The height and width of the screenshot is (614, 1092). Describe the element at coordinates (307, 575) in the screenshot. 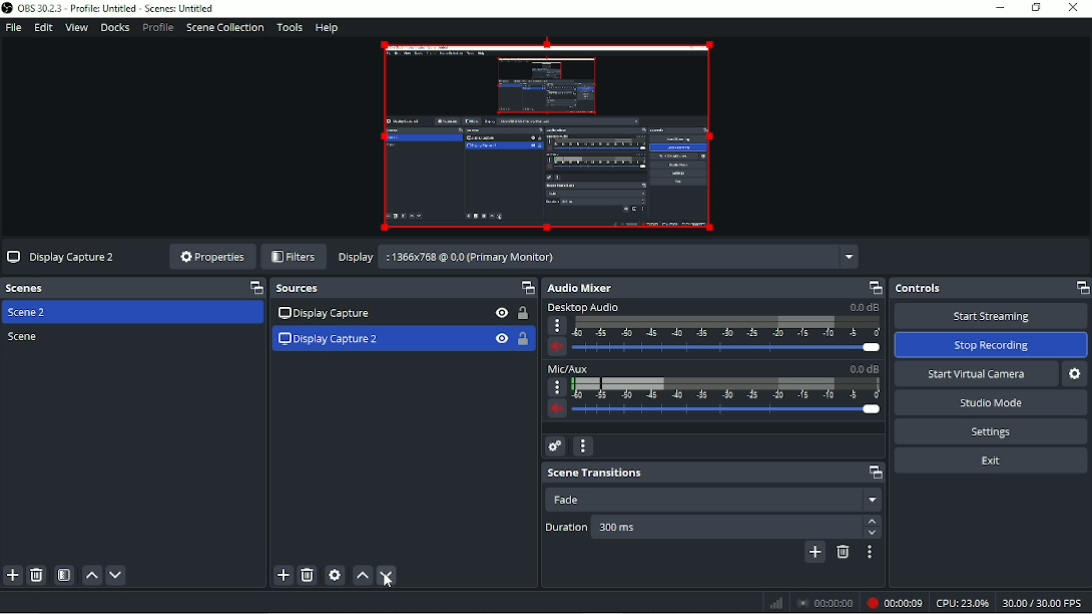

I see `Remove selected source(s)` at that location.